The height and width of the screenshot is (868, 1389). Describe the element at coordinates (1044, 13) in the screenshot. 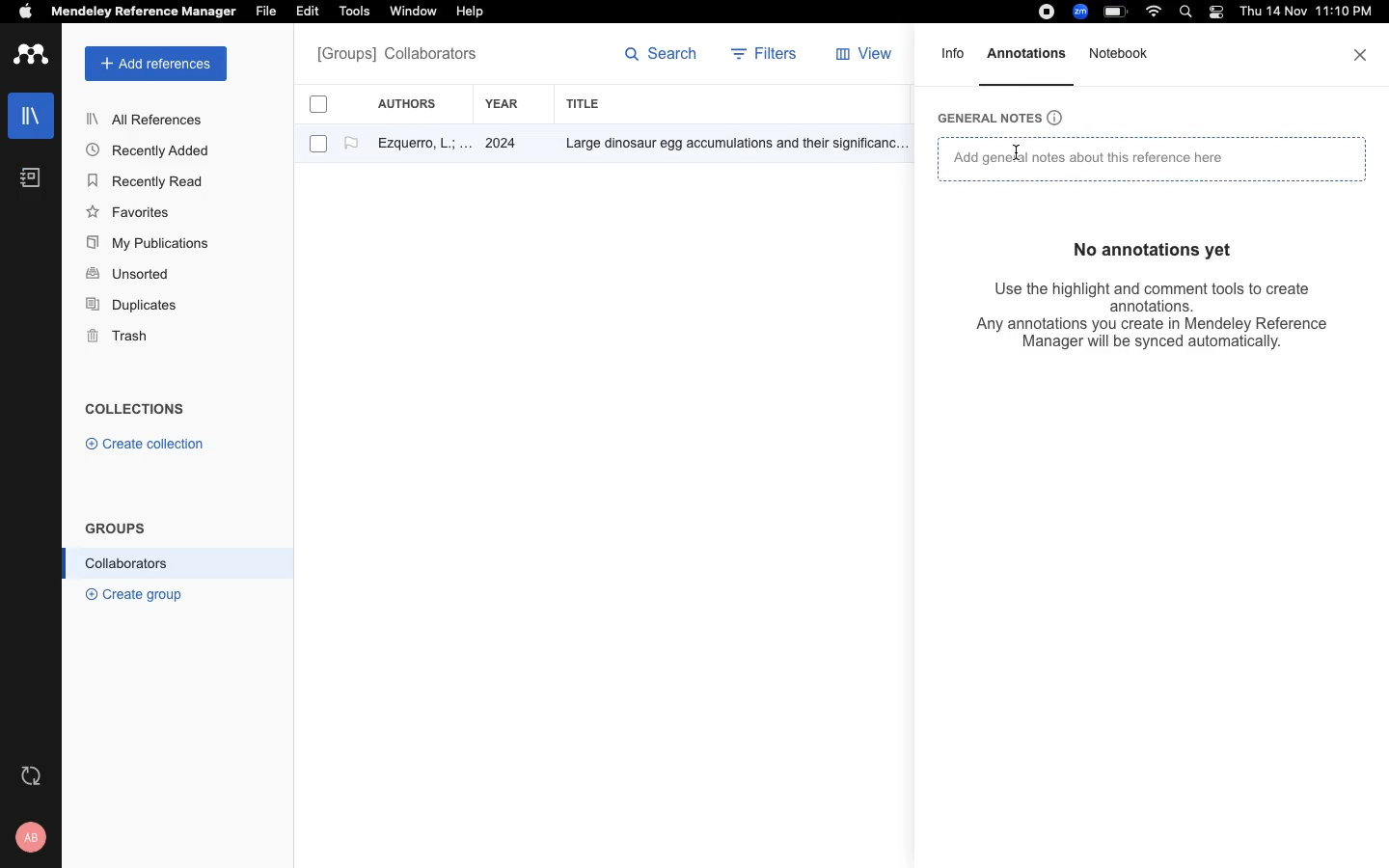

I see `recording` at that location.